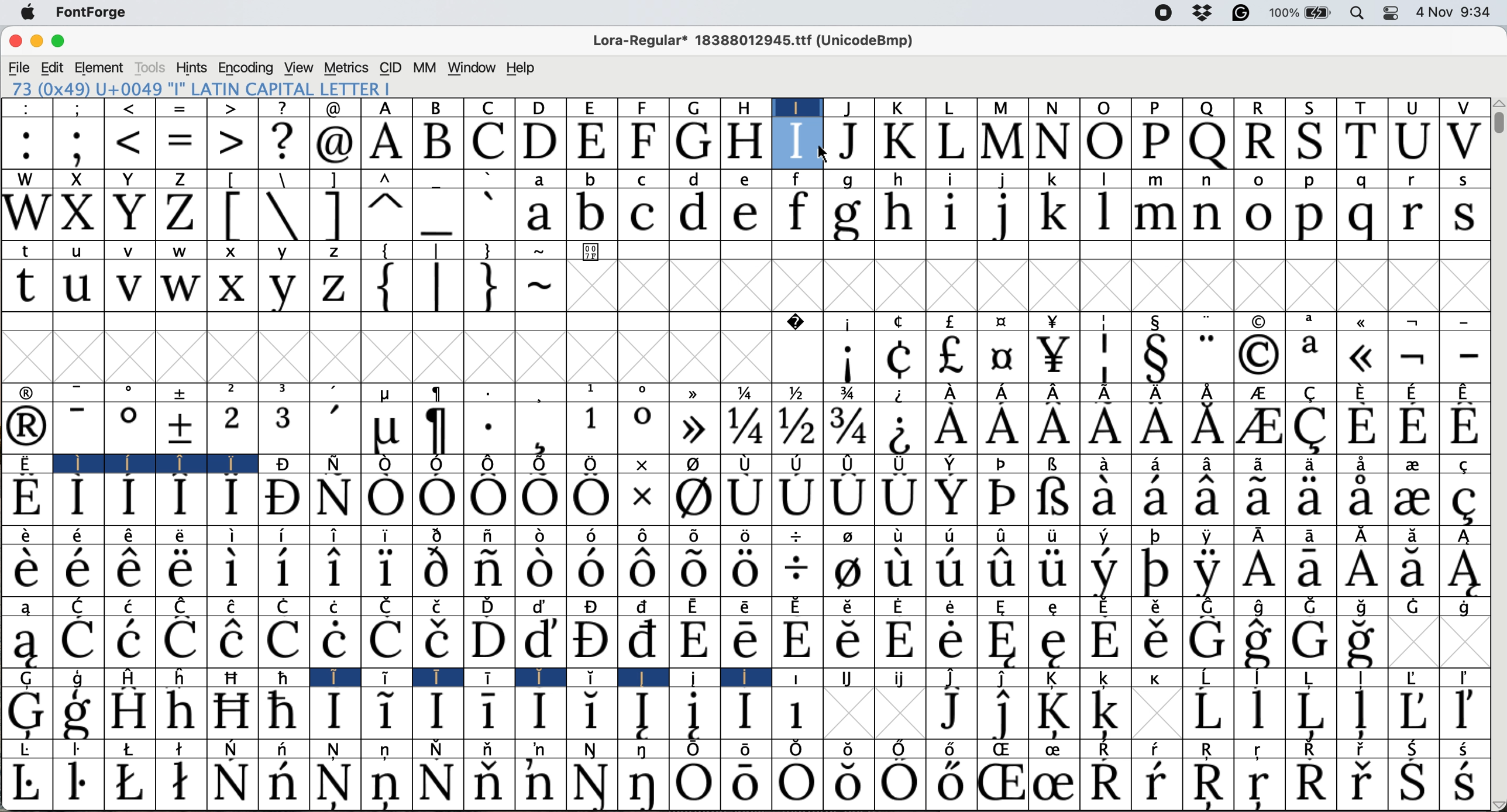  Describe the element at coordinates (1210, 216) in the screenshot. I see `n` at that location.